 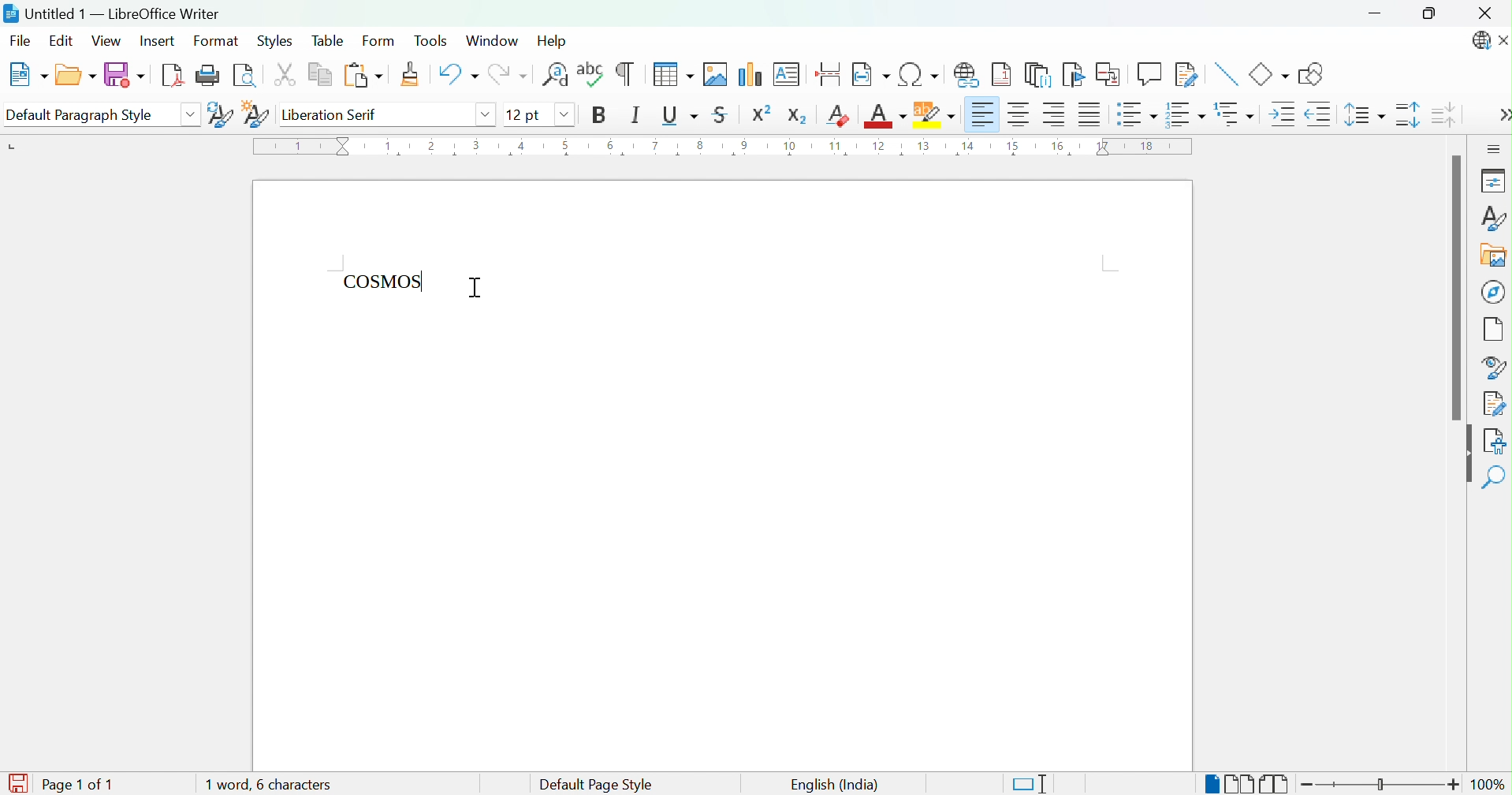 I want to click on Insert Table, so click(x=669, y=74).